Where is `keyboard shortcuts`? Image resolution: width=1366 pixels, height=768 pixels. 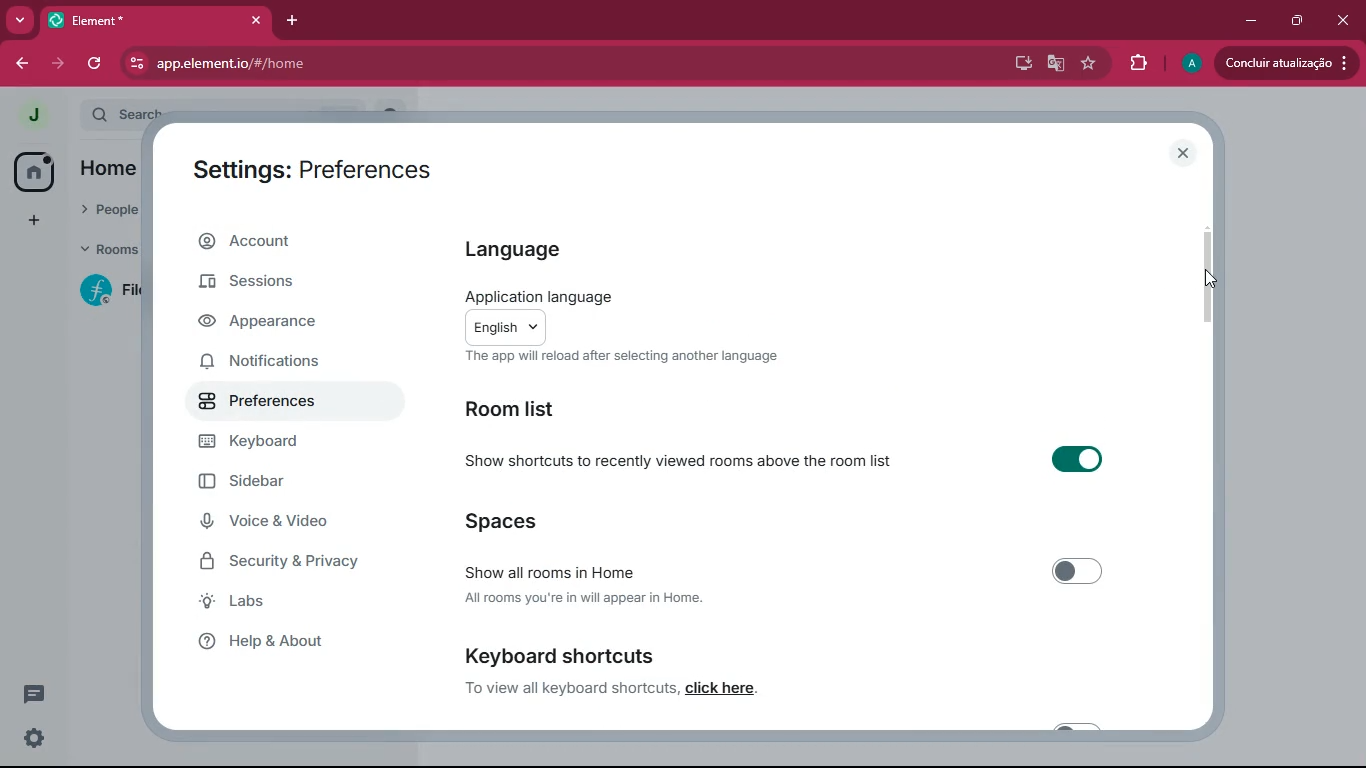
keyboard shortcuts is located at coordinates (563, 653).